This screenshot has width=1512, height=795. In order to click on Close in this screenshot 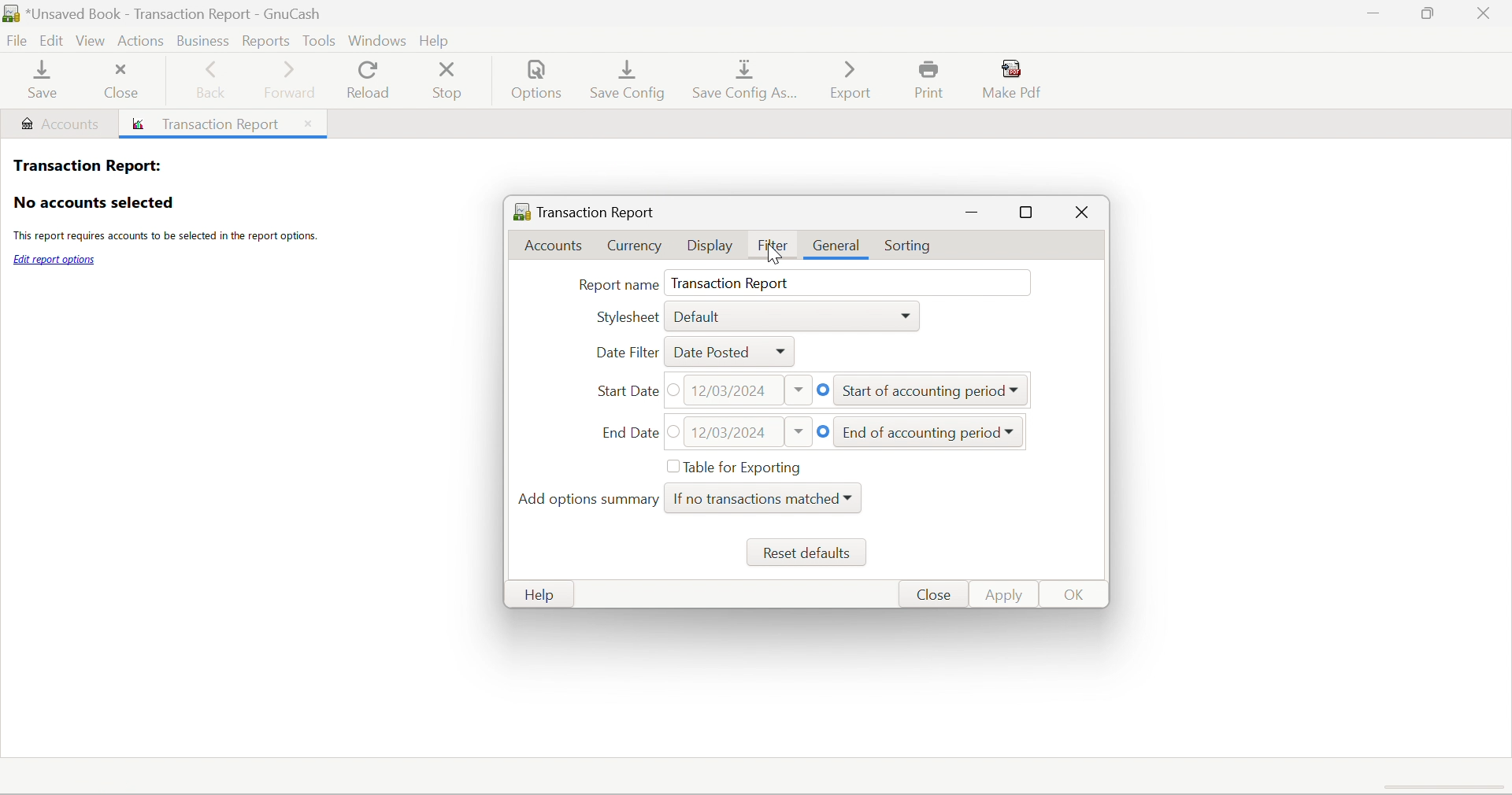, I will do `click(306, 123)`.